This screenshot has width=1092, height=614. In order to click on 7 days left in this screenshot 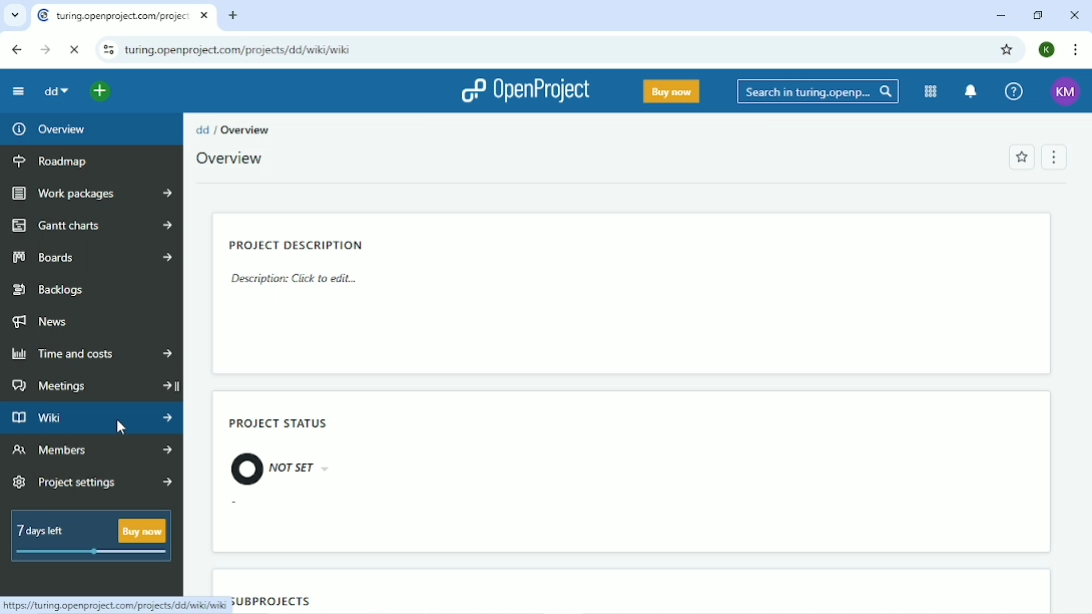, I will do `click(45, 527)`.